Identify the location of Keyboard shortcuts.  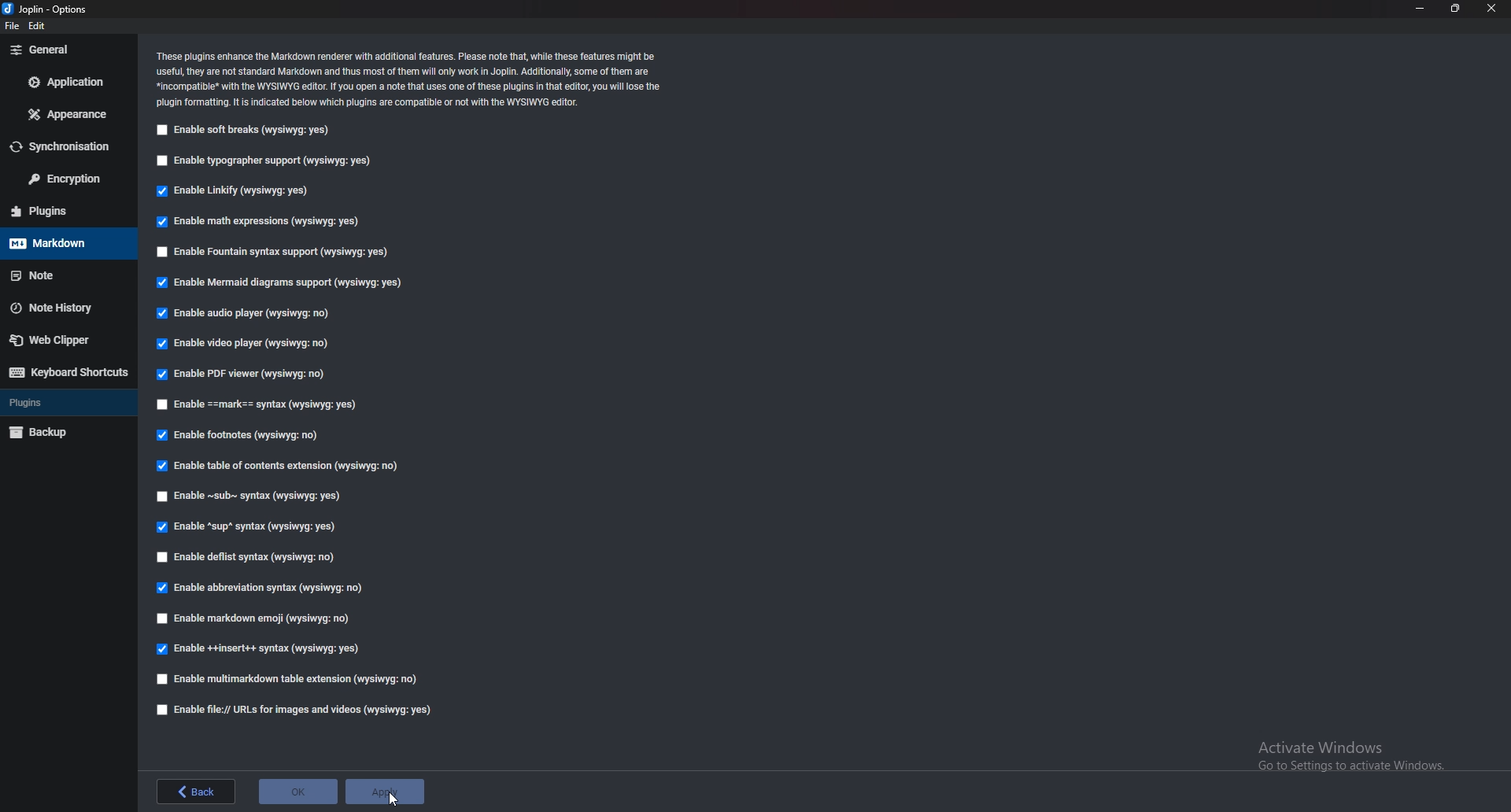
(67, 372).